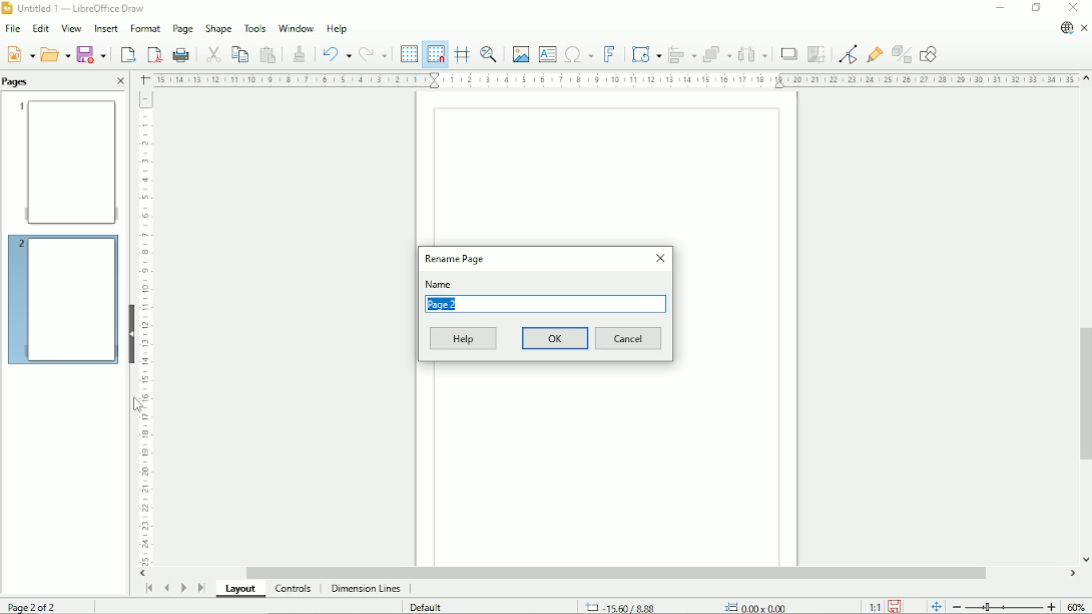 The image size is (1092, 614). What do you see at coordinates (39, 29) in the screenshot?
I see `Edit` at bounding box center [39, 29].